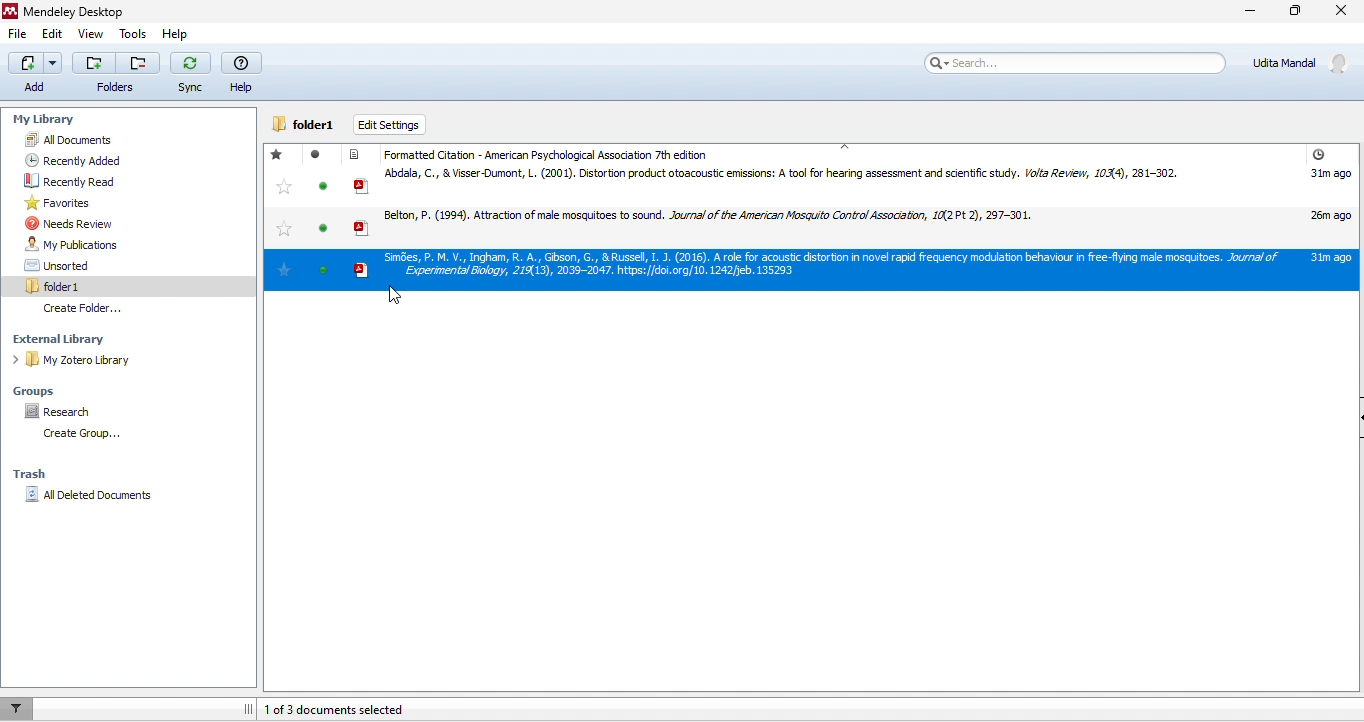  I want to click on view, so click(91, 34).